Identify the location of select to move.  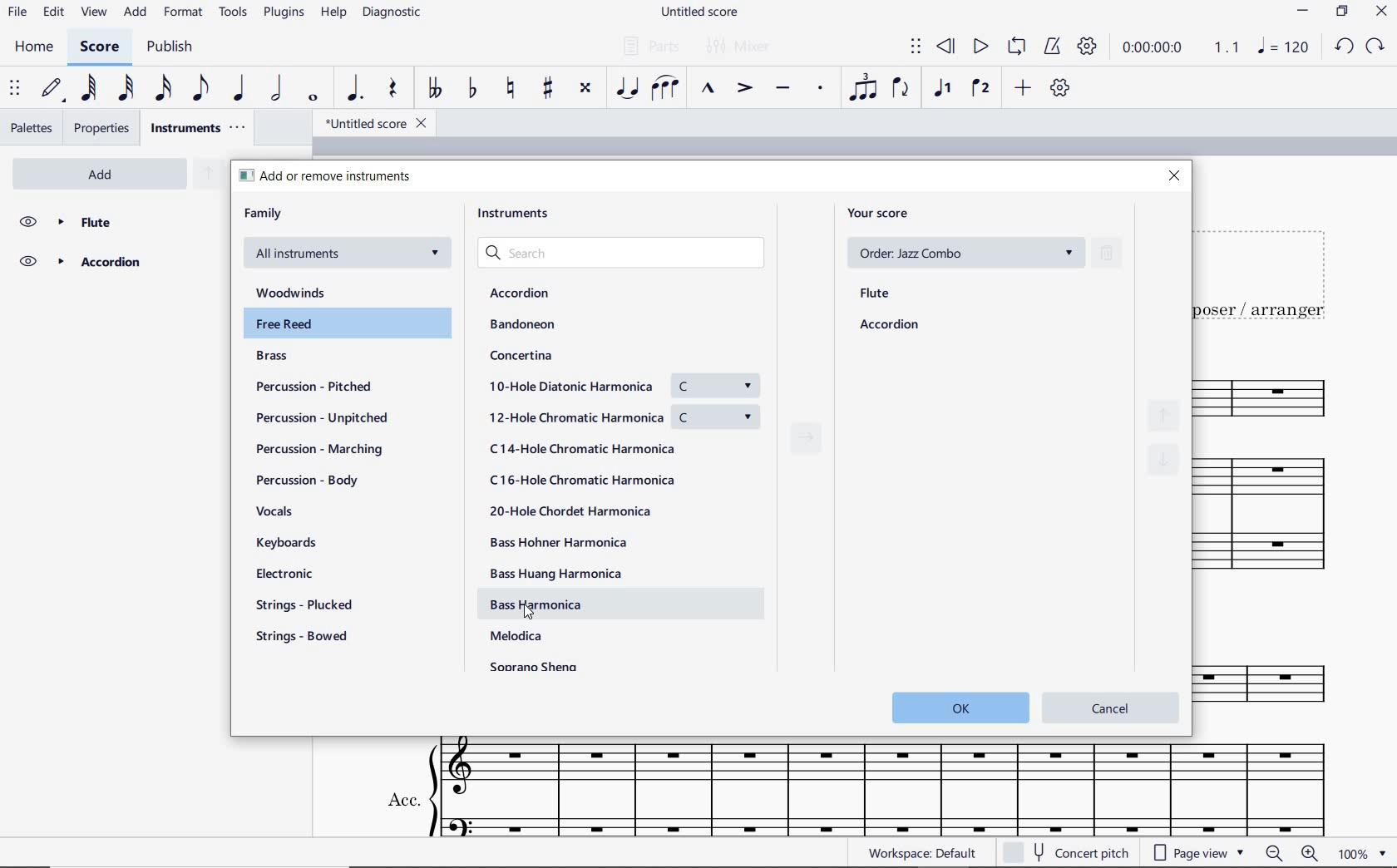
(15, 89).